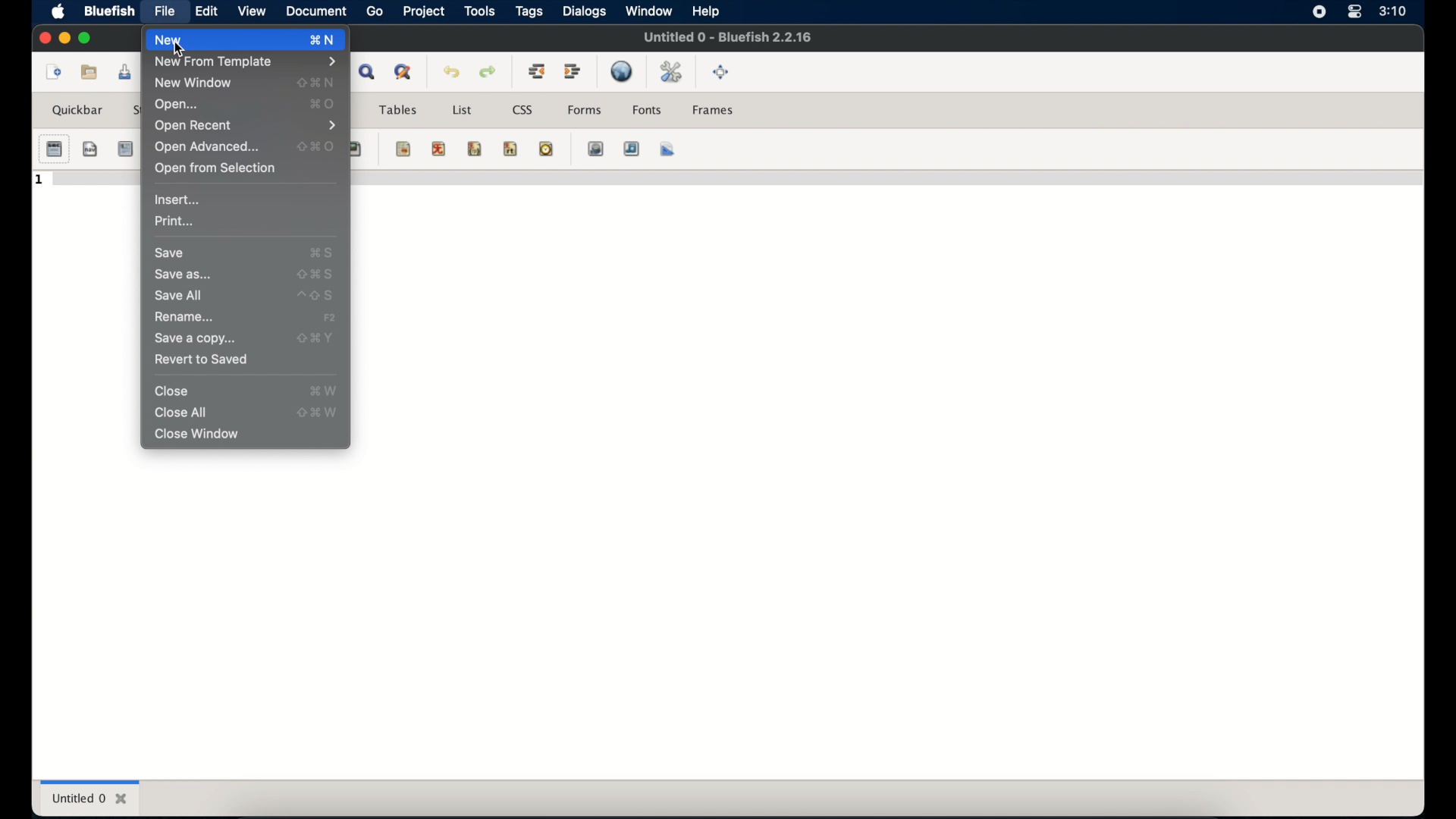 The image size is (1456, 819). Describe the element at coordinates (524, 110) in the screenshot. I see `css` at that location.